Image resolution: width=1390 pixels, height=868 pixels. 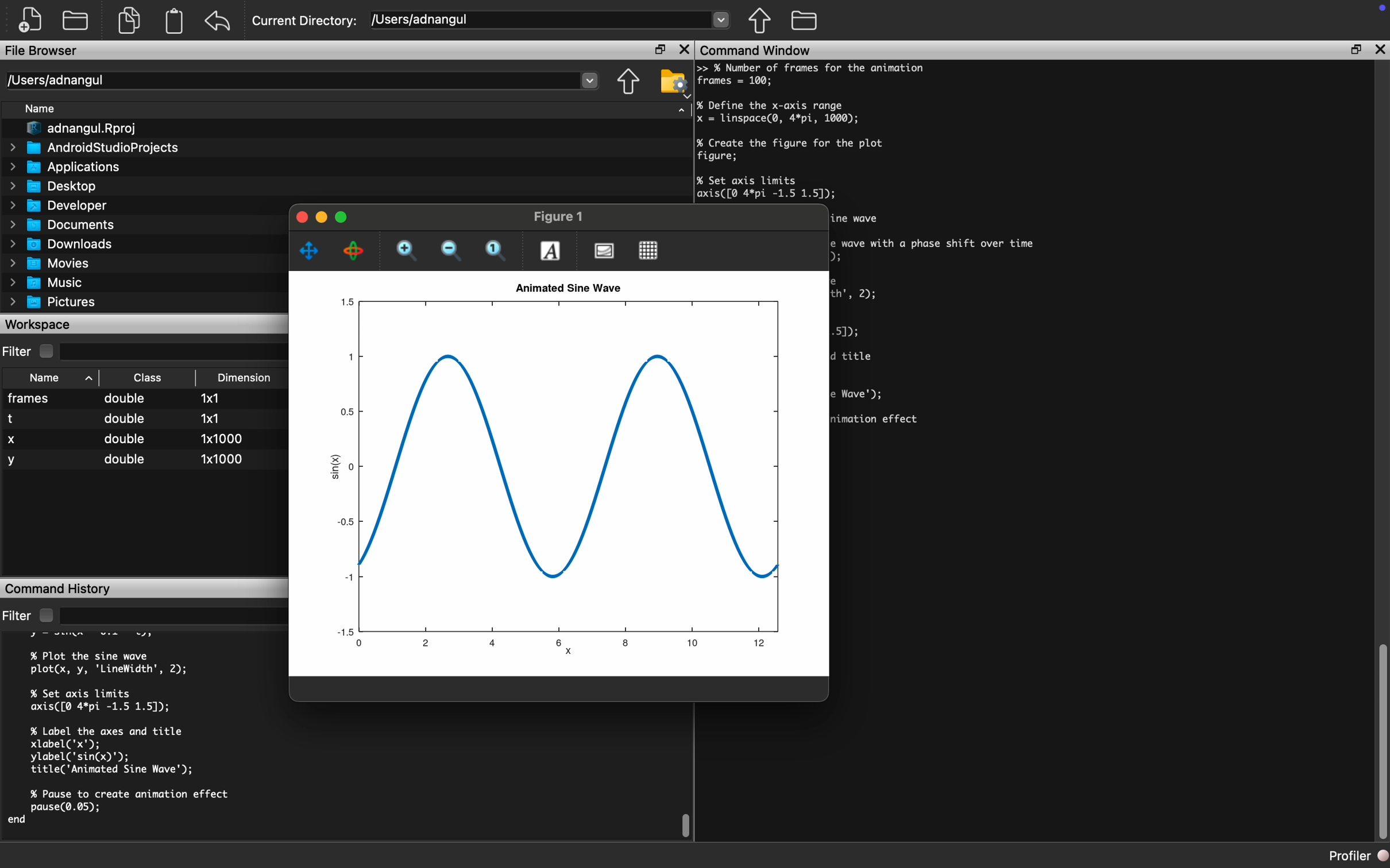 What do you see at coordinates (792, 152) in the screenshot?
I see `% Create the figure for the plot]
figure;` at bounding box center [792, 152].